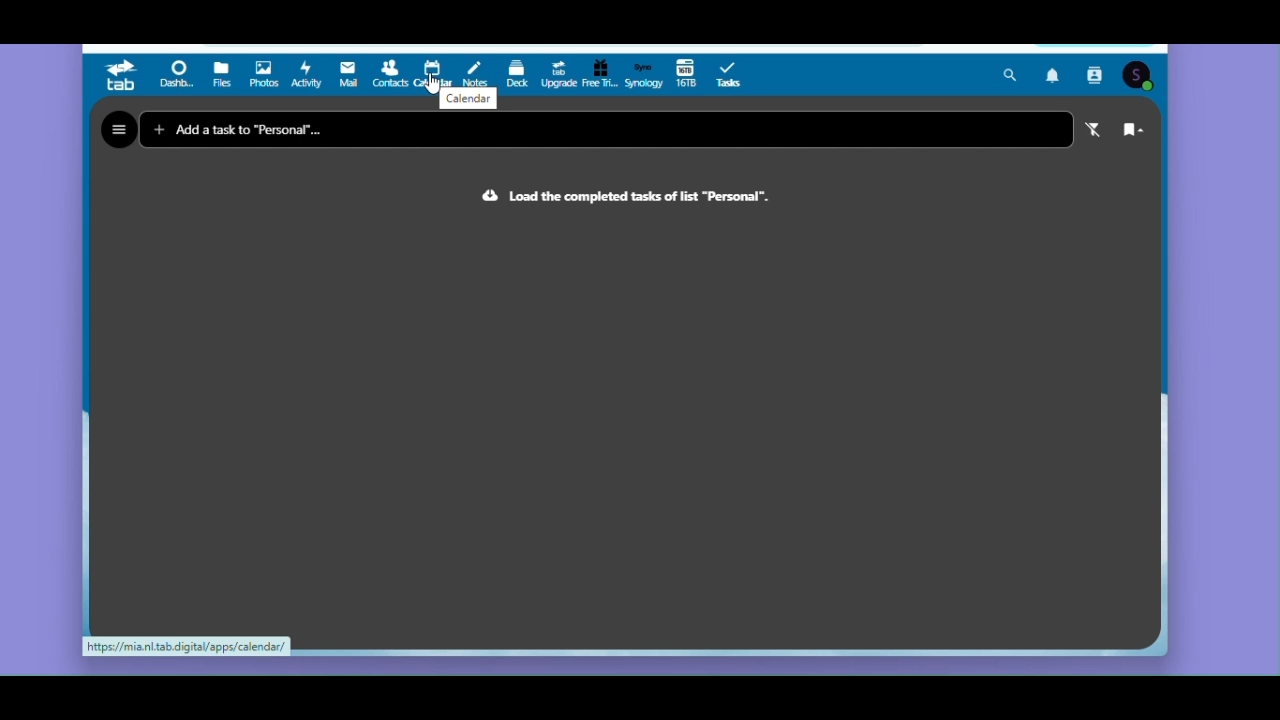  I want to click on Mail, so click(350, 75).